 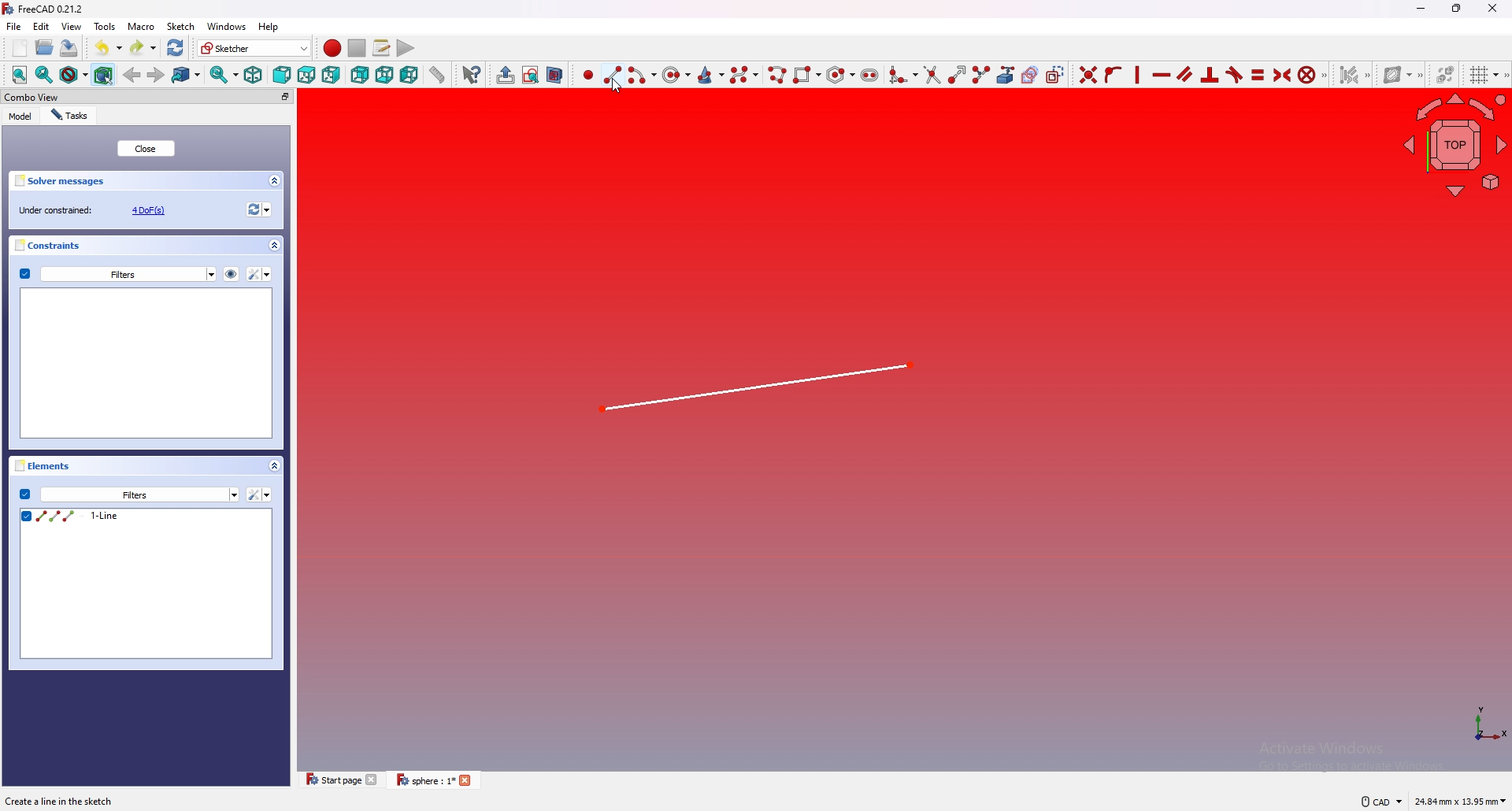 What do you see at coordinates (359, 75) in the screenshot?
I see `Rear` at bounding box center [359, 75].